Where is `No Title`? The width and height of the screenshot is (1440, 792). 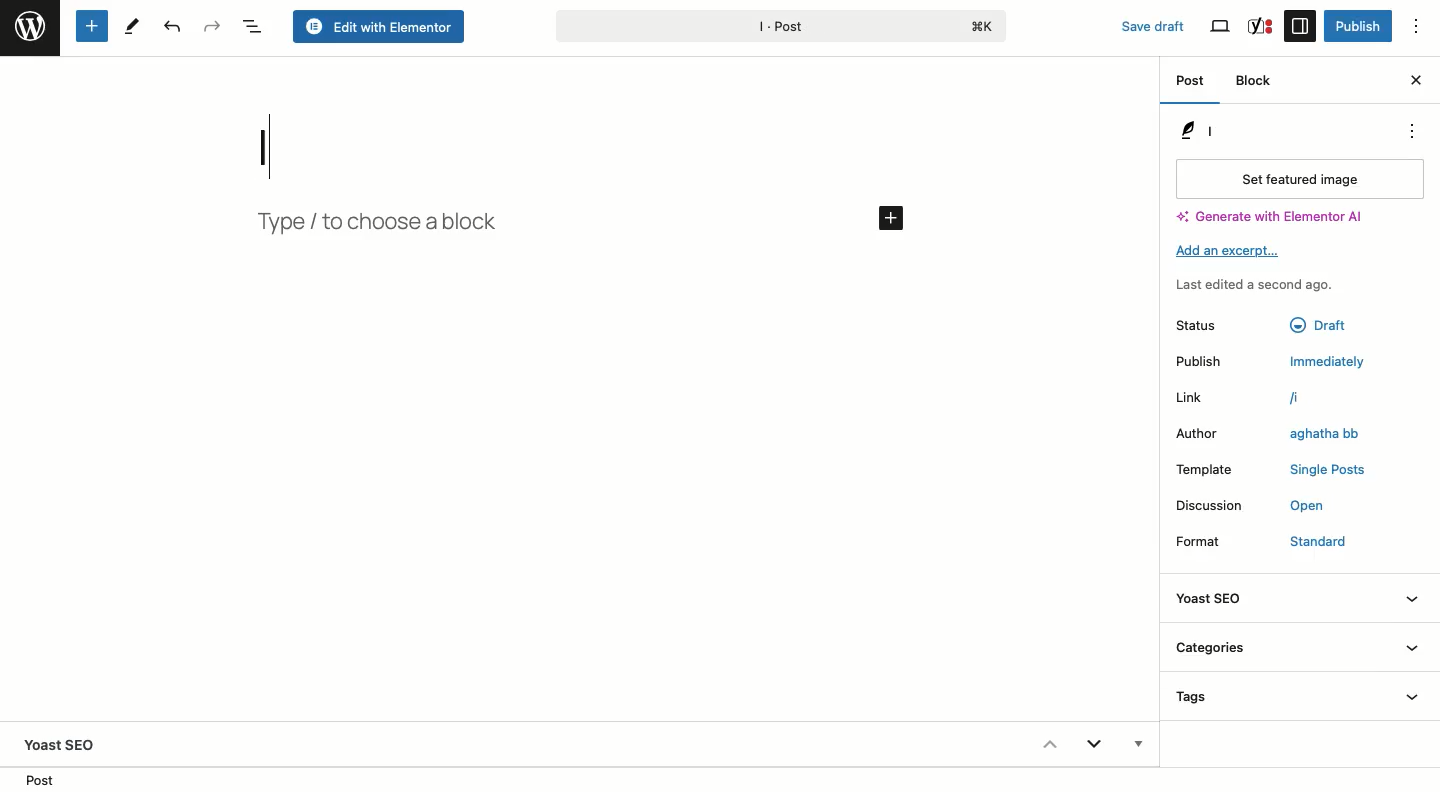
No Title is located at coordinates (1214, 130).